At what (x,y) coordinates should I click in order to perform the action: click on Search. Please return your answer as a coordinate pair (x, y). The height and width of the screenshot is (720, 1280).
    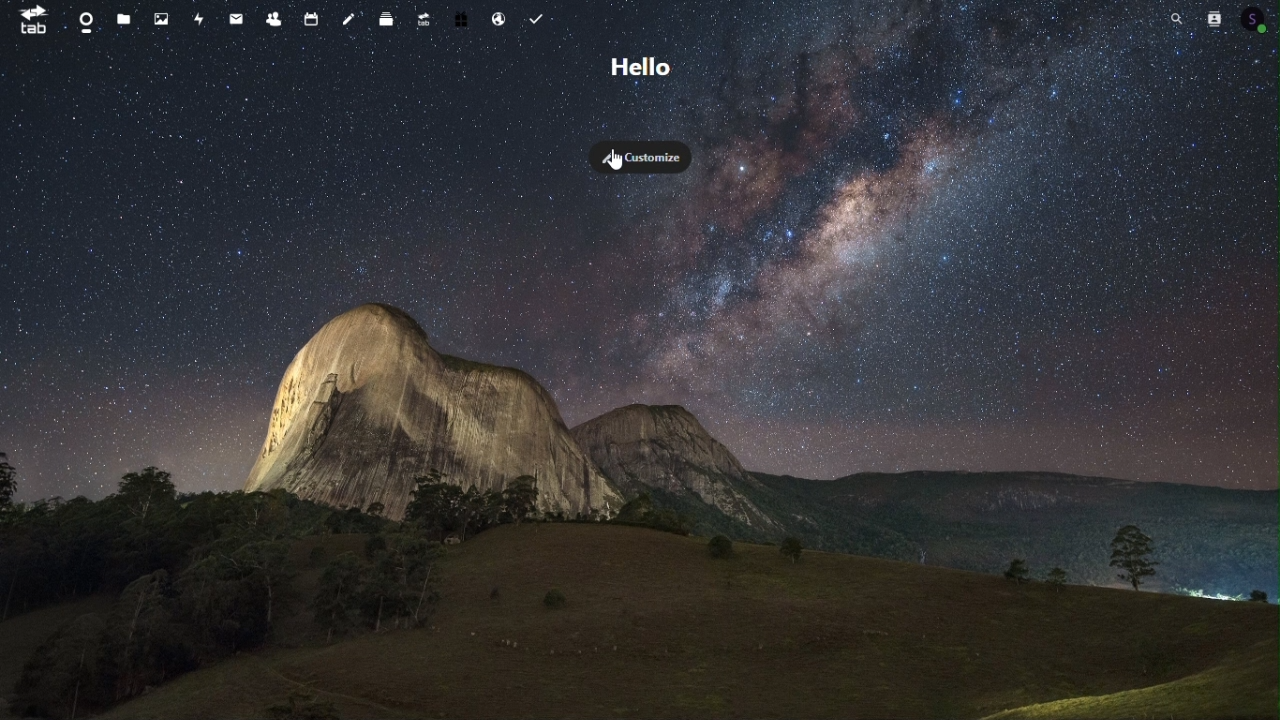
    Looking at the image, I should click on (1170, 17).